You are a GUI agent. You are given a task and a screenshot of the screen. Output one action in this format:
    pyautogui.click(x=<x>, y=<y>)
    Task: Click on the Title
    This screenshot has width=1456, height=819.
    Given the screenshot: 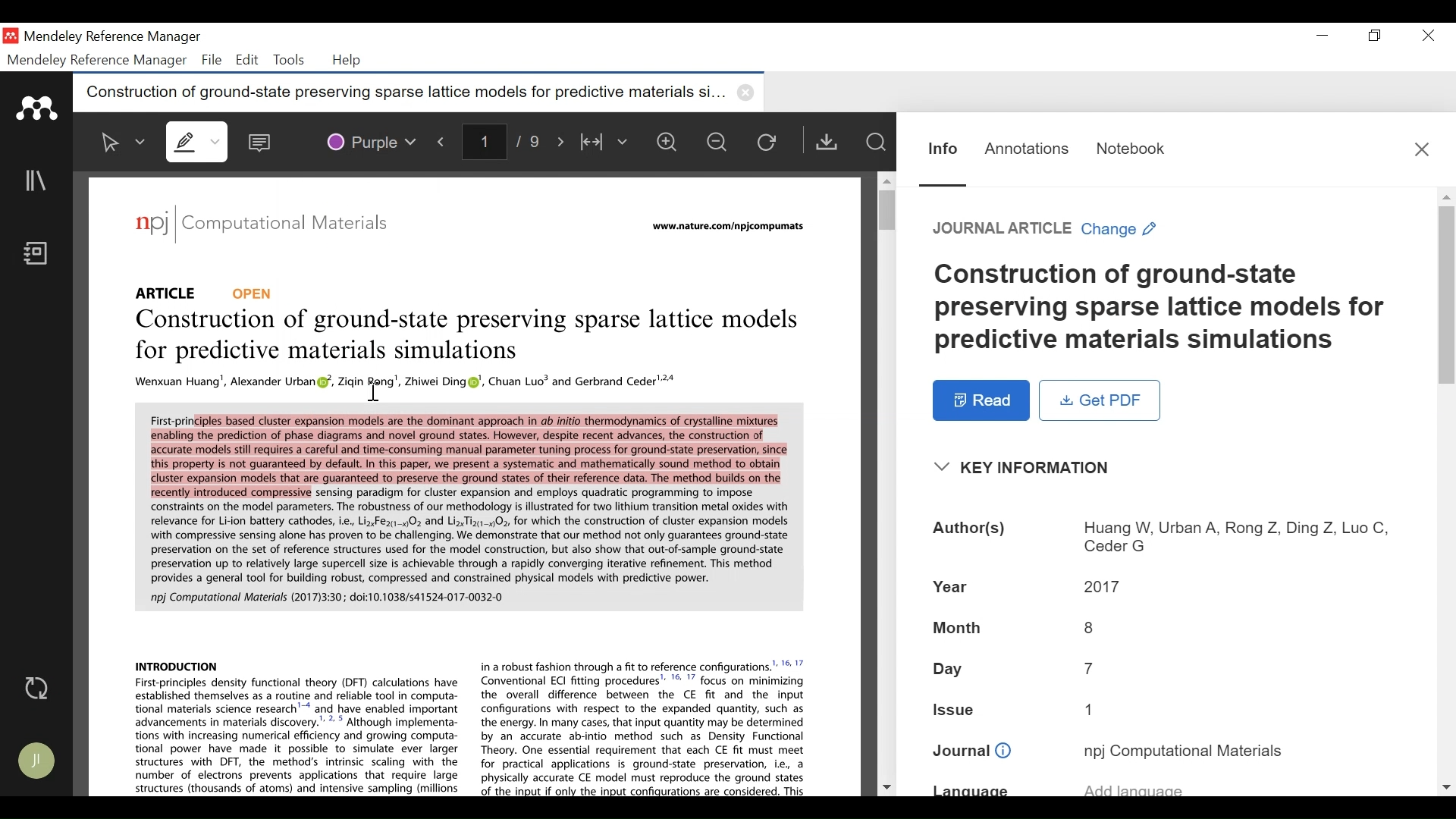 What is the action you would take?
    pyautogui.click(x=1159, y=304)
    